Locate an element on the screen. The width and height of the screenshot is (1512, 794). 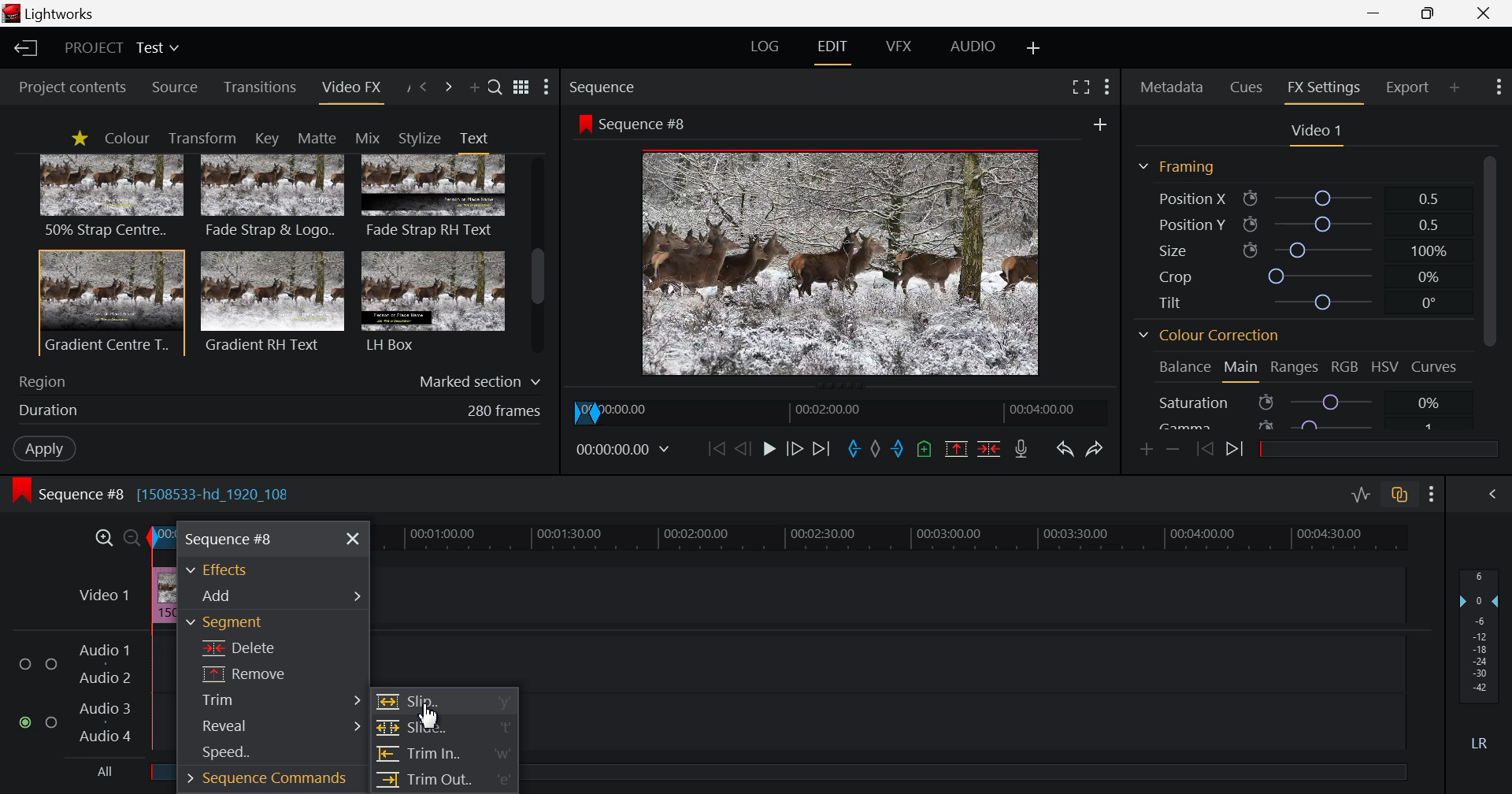
Close Menu is located at coordinates (354, 540).